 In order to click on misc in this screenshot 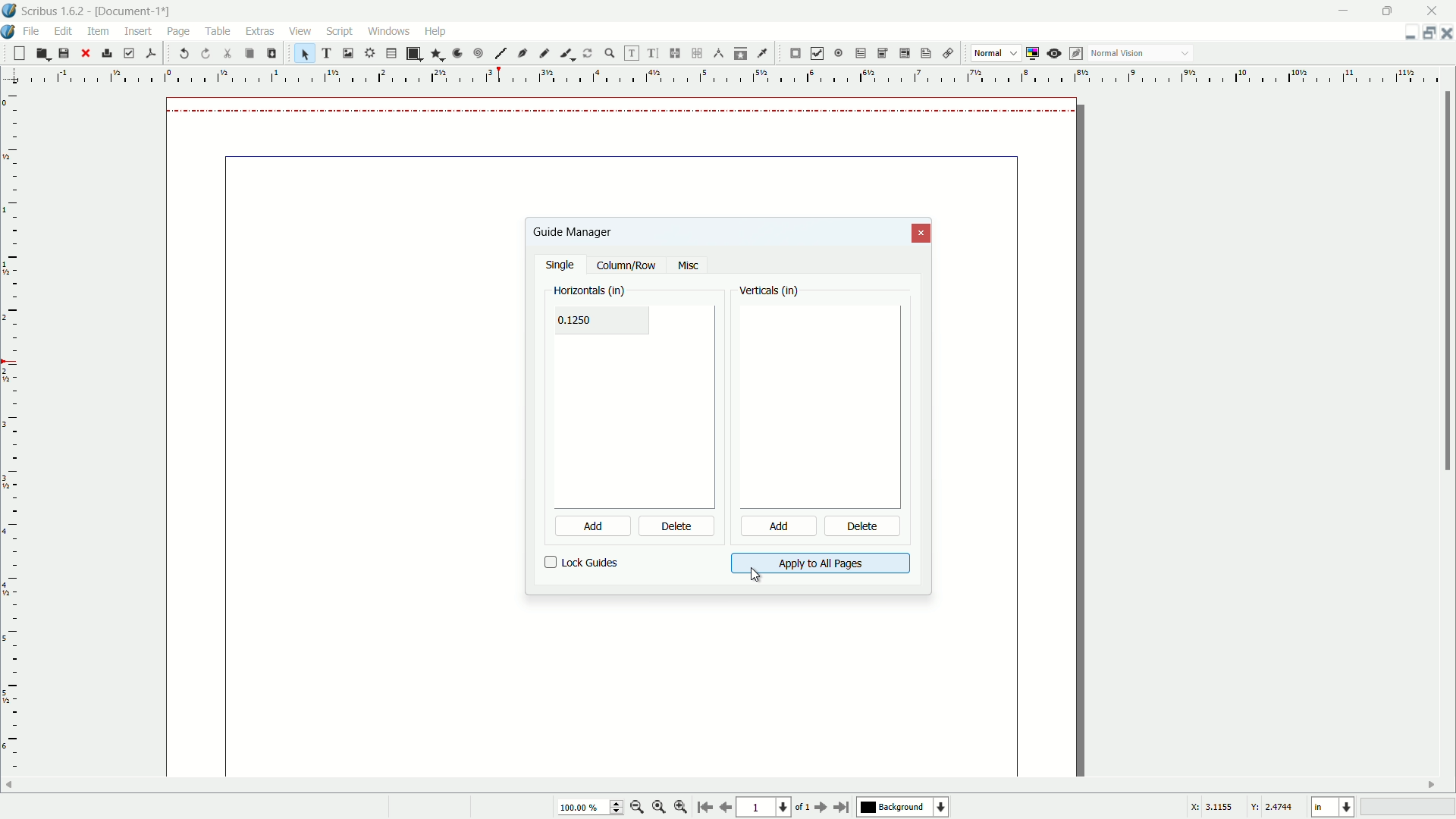, I will do `click(688, 266)`.